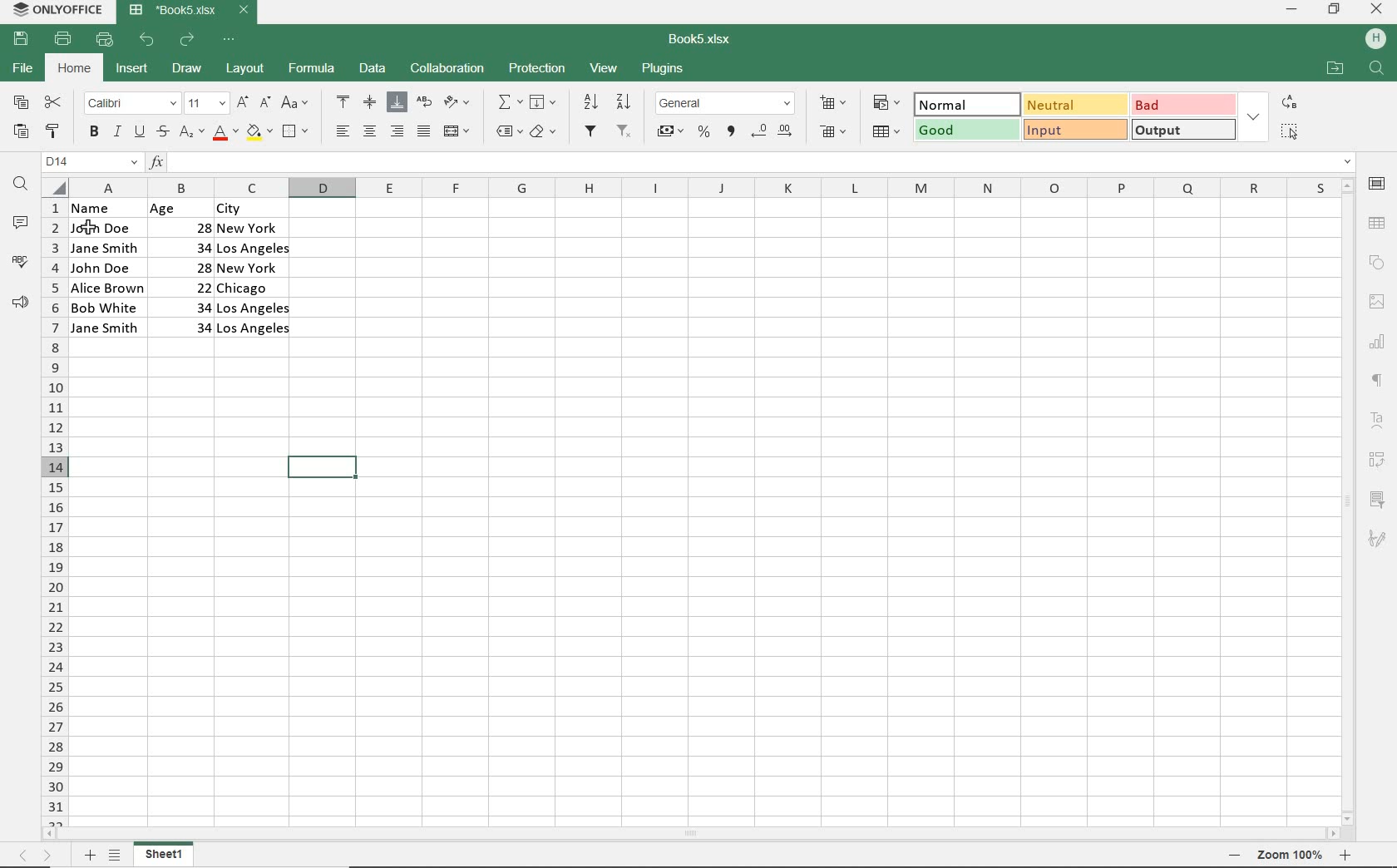  I want to click on CUT, so click(54, 102).